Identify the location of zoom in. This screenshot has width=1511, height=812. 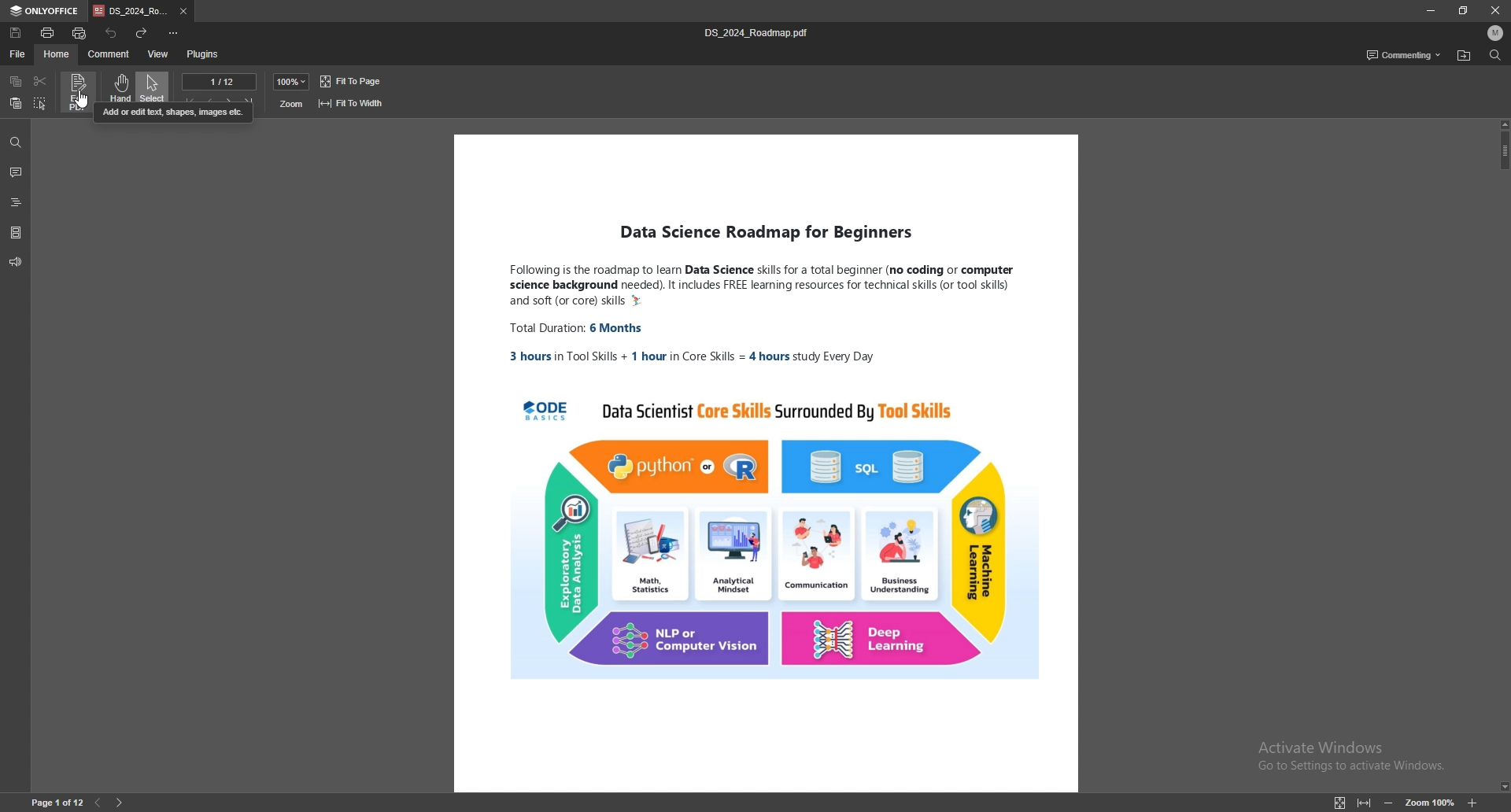
(1472, 804).